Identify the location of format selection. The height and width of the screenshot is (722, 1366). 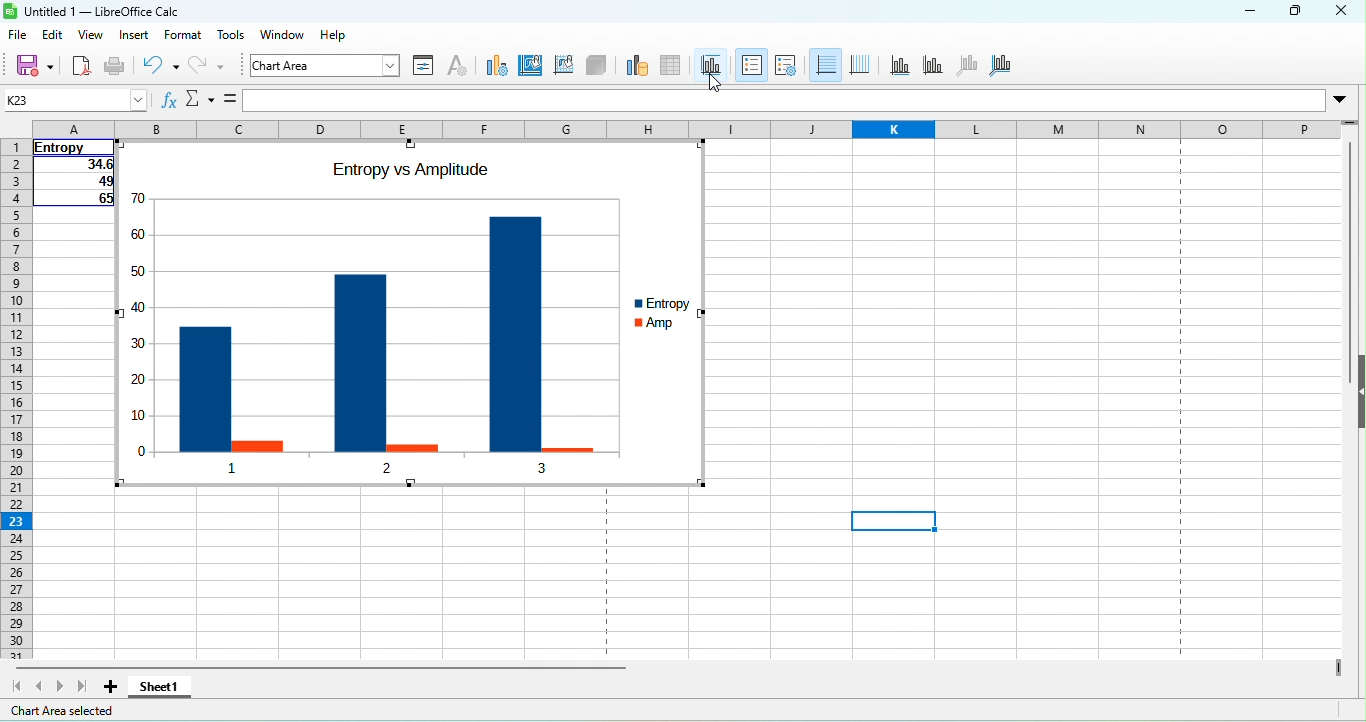
(425, 67).